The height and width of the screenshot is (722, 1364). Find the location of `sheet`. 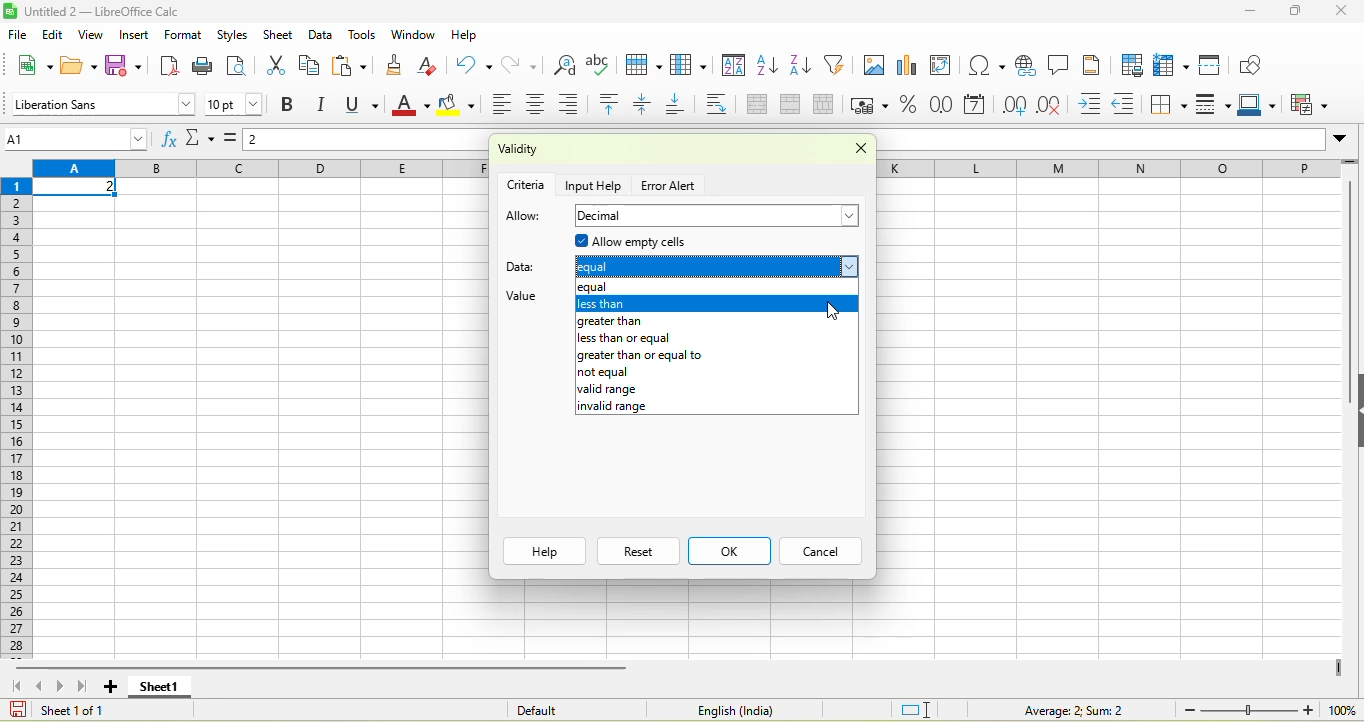

sheet is located at coordinates (278, 35).